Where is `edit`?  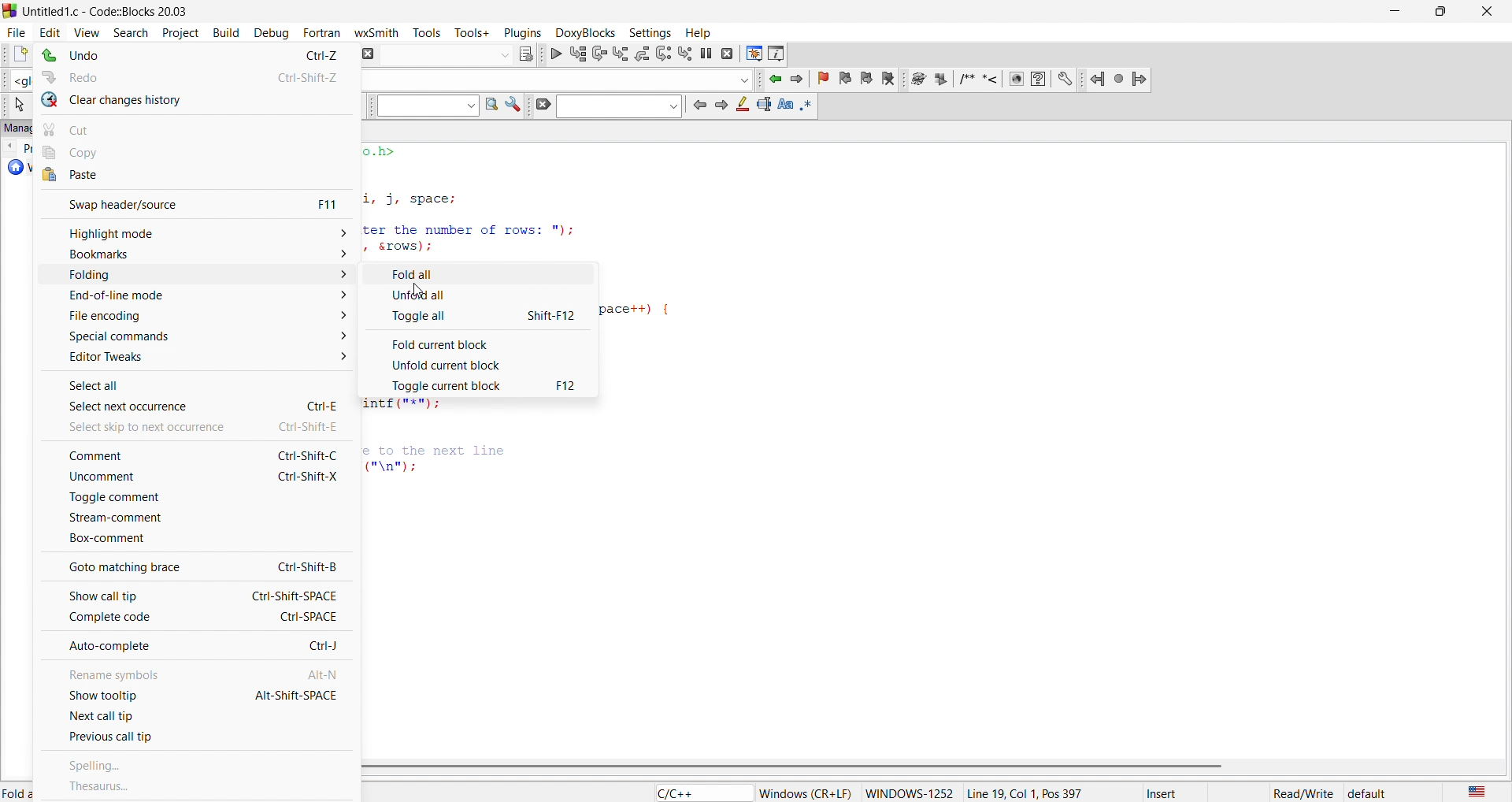
edit is located at coordinates (49, 31).